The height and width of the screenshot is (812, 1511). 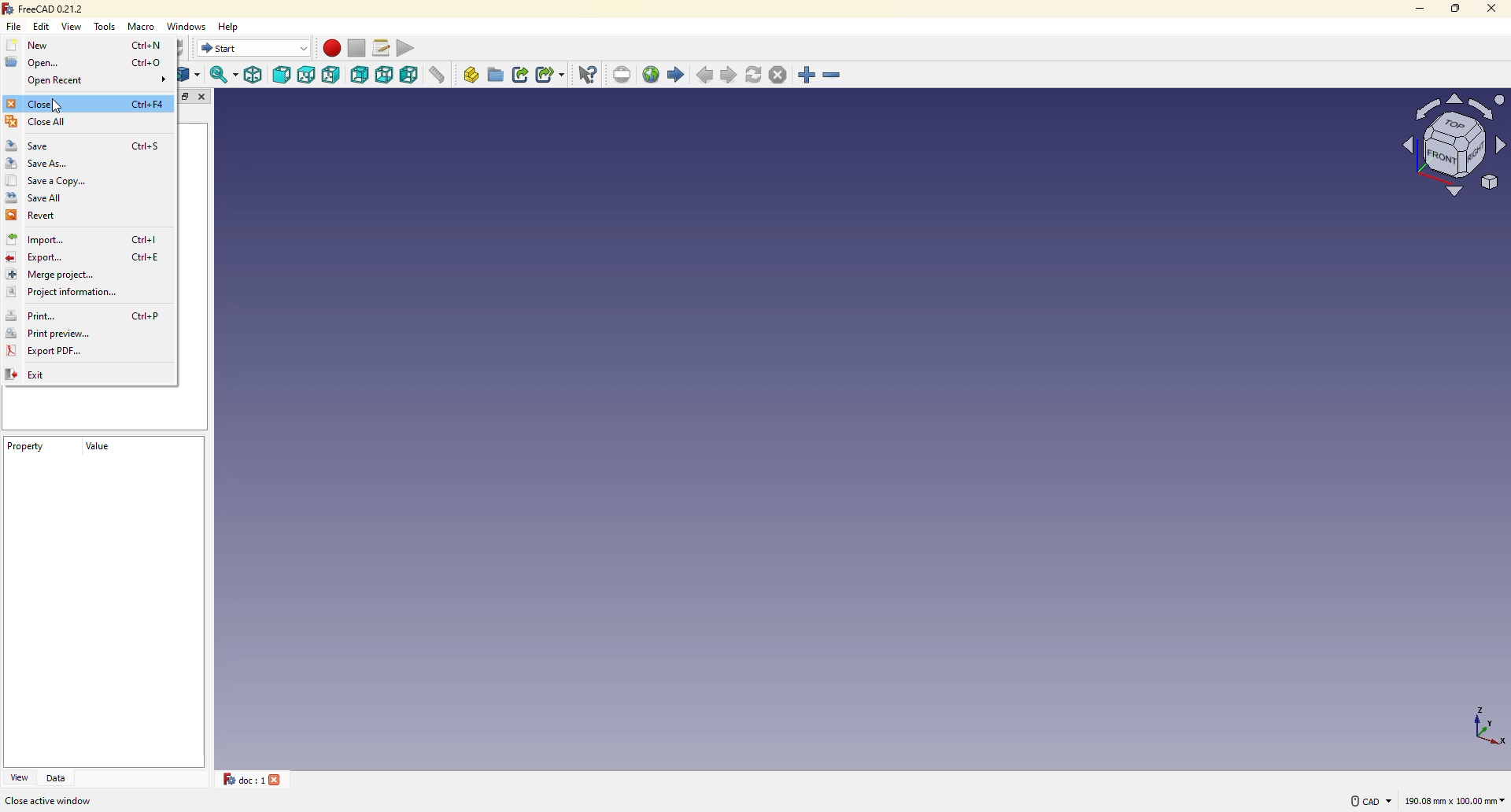 I want to click on make sub link, so click(x=550, y=76).